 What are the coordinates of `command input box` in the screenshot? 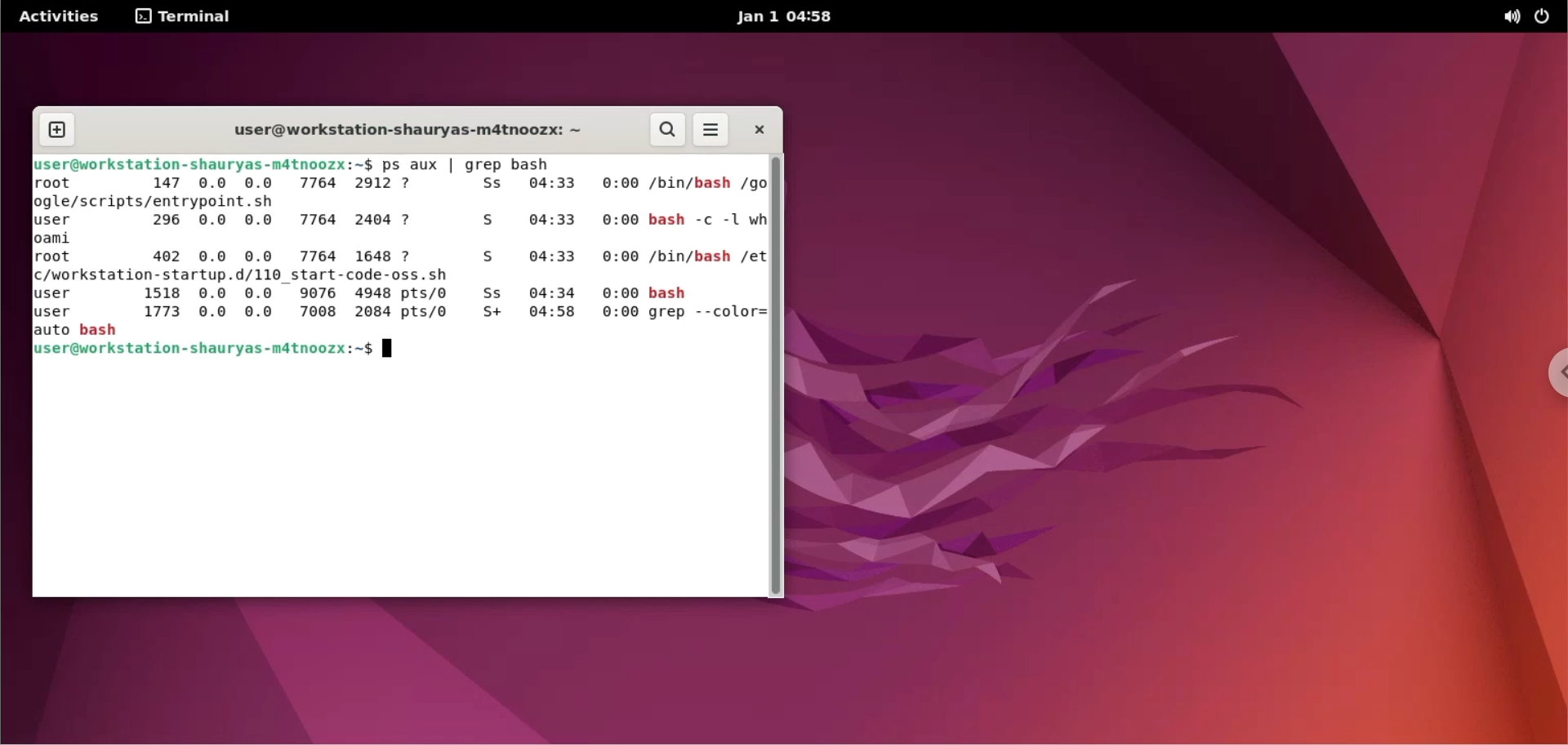 It's located at (398, 483).